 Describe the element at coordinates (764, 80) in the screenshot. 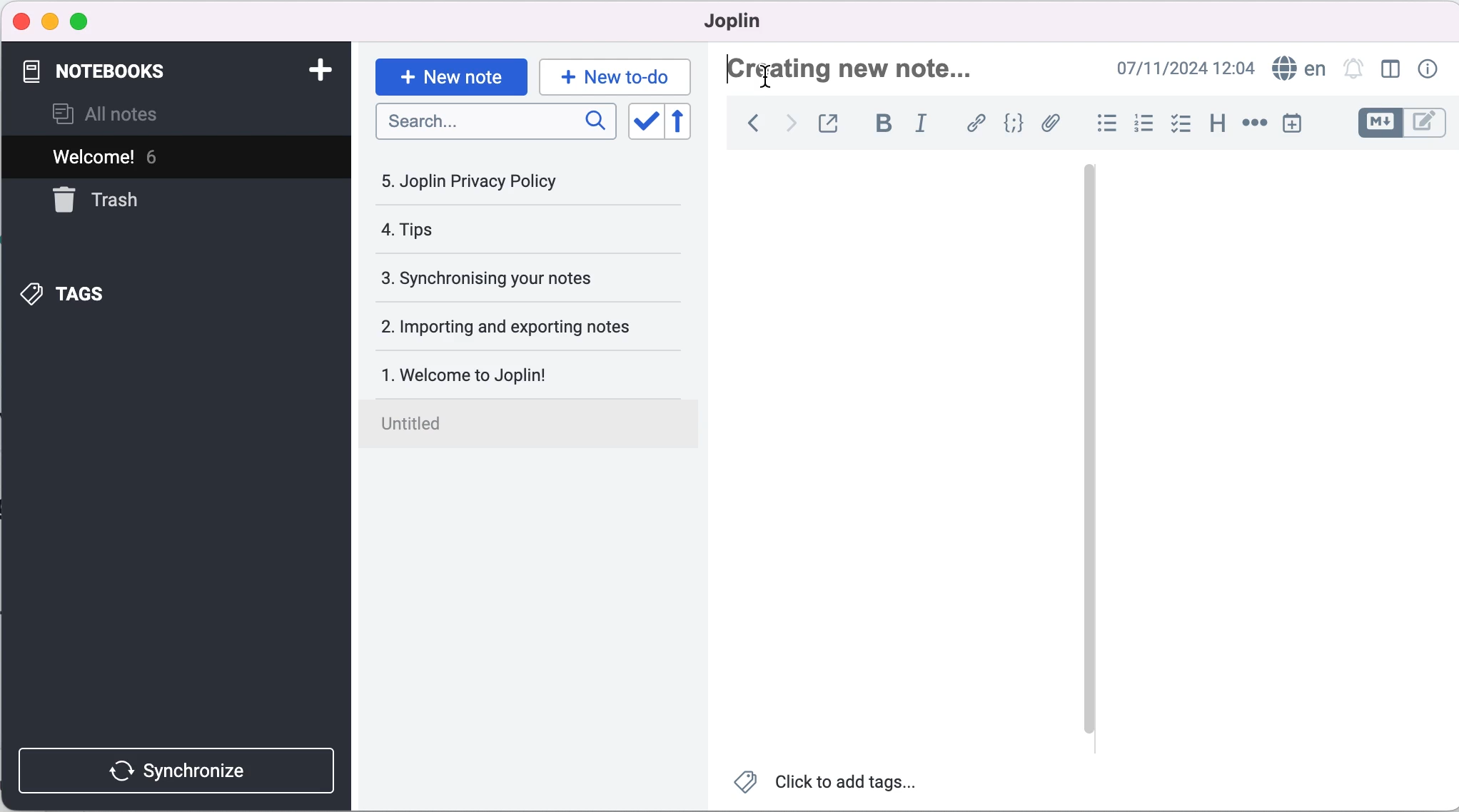

I see `cursor` at that location.